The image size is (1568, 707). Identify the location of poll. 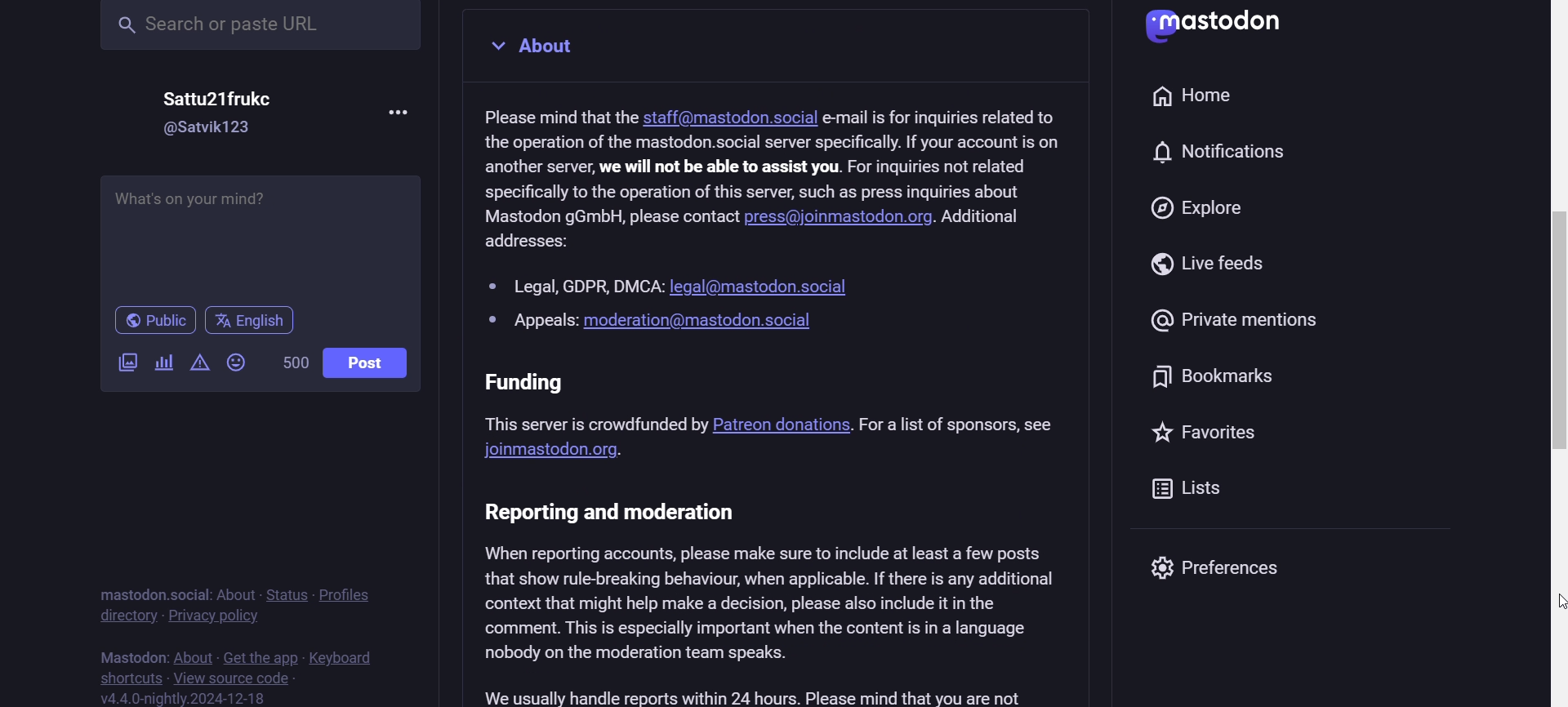
(163, 359).